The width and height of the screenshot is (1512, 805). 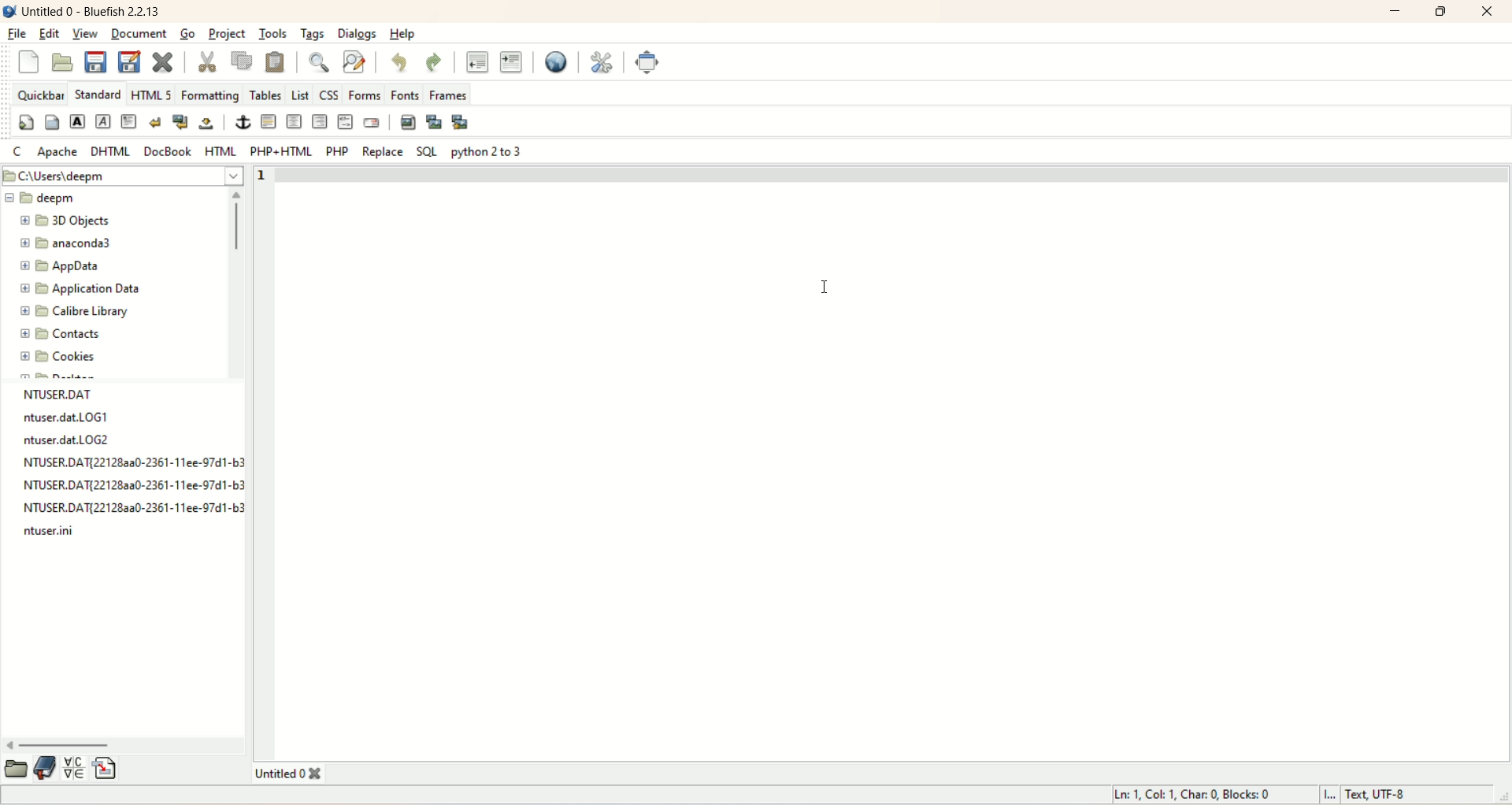 I want to click on new, so click(x=27, y=59).